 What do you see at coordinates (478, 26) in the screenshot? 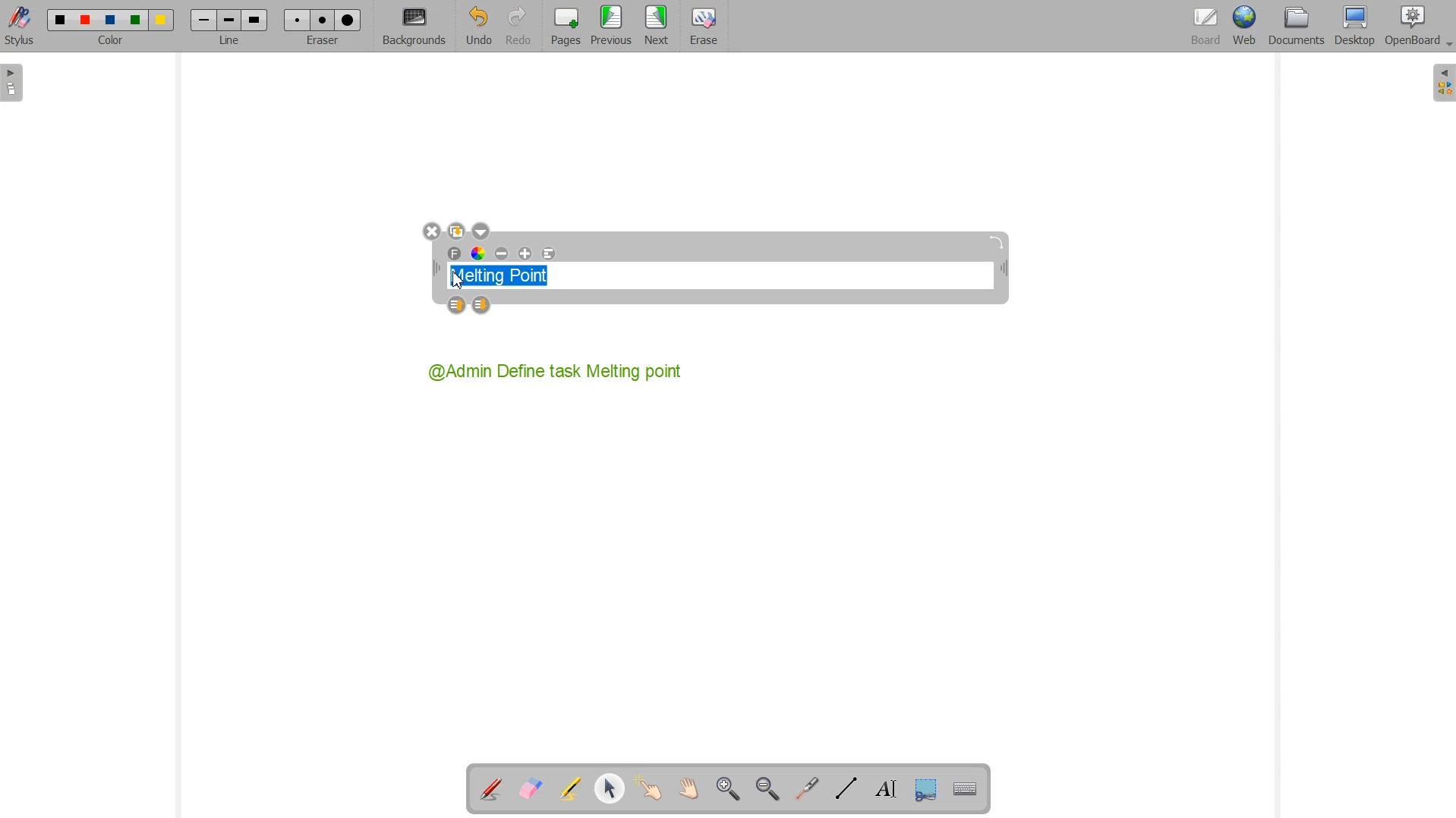
I see `Undo` at bounding box center [478, 26].